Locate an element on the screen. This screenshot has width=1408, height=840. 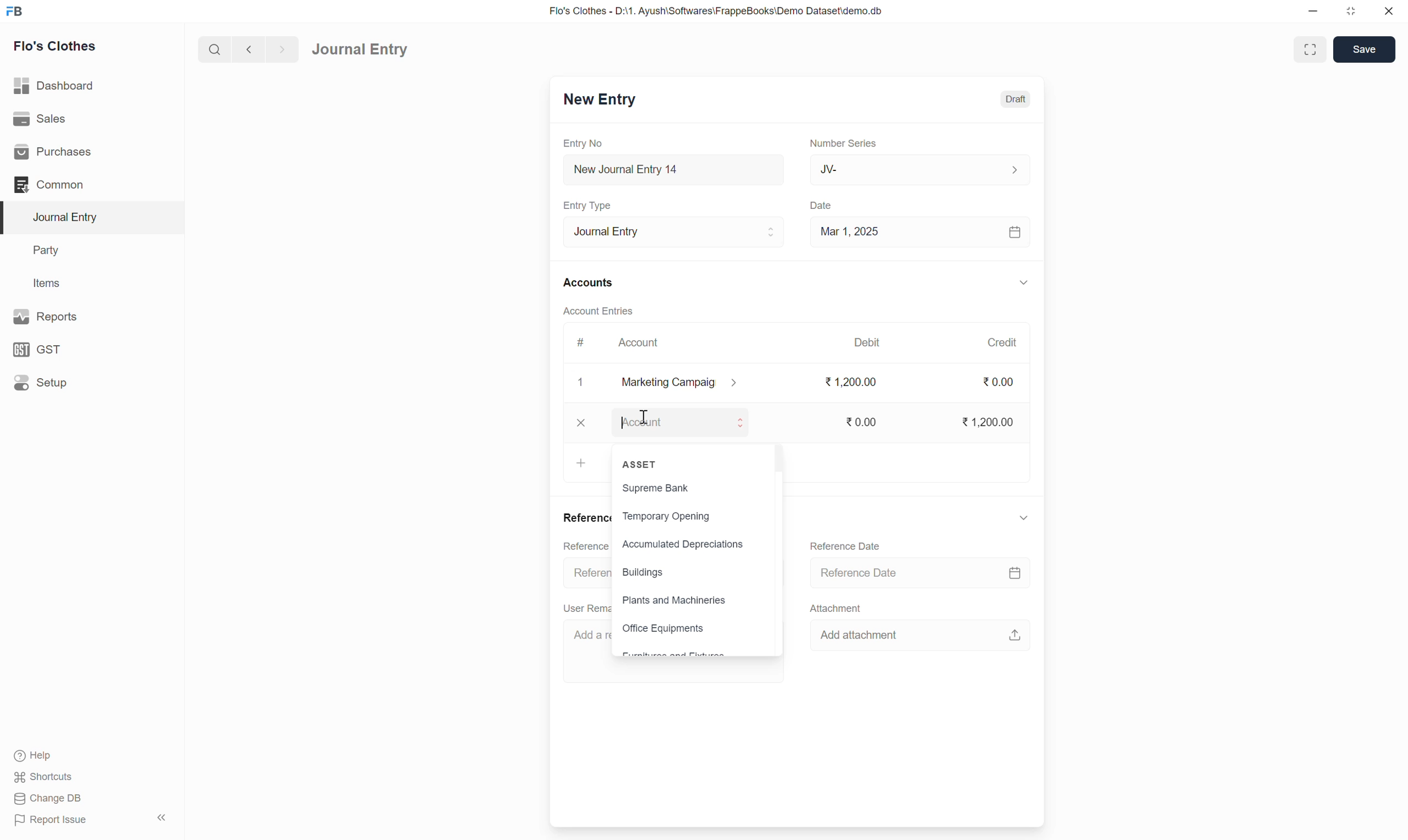
Setup is located at coordinates (41, 382).